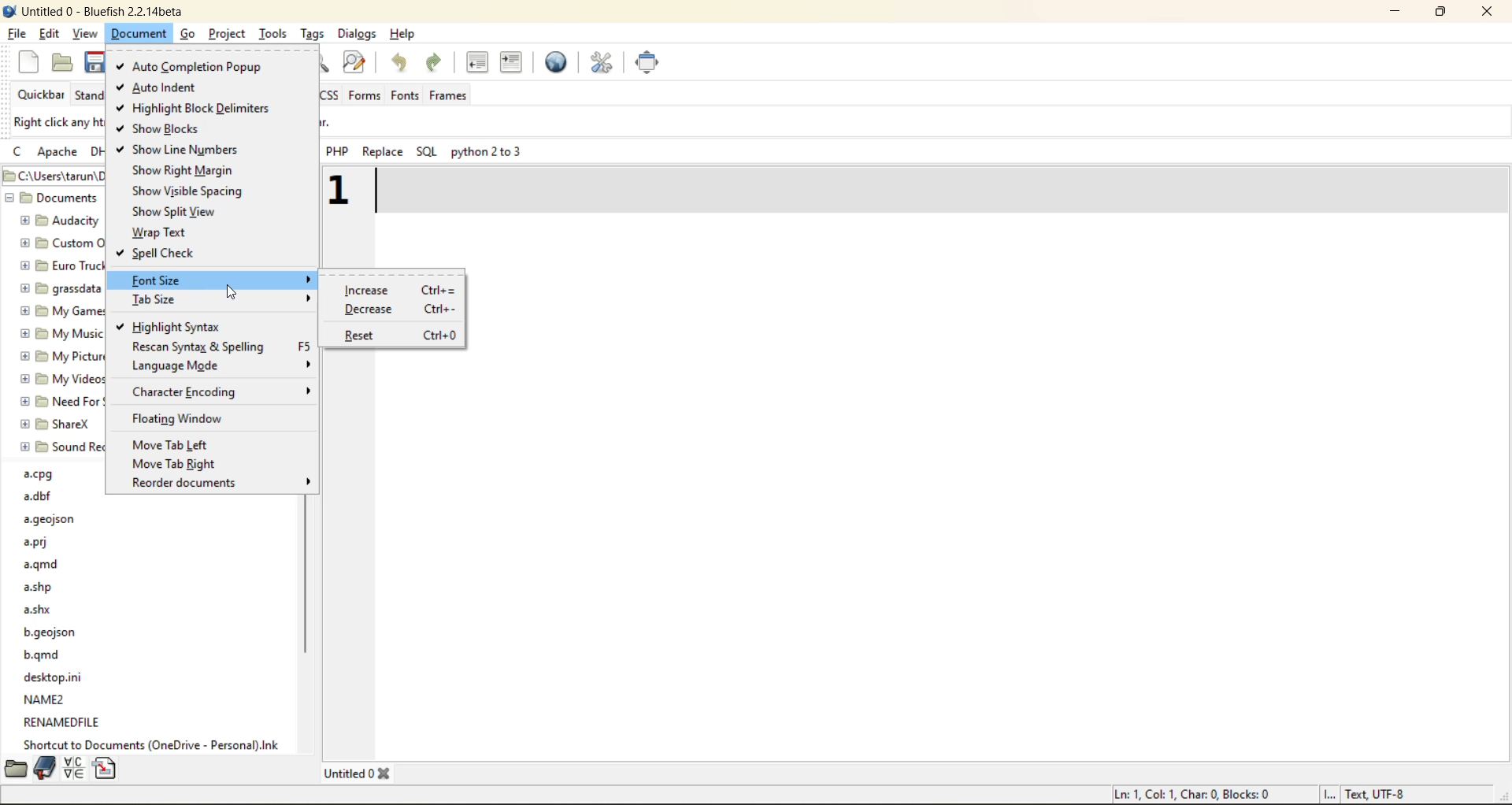 The image size is (1512, 805). Describe the element at coordinates (230, 33) in the screenshot. I see `project` at that location.